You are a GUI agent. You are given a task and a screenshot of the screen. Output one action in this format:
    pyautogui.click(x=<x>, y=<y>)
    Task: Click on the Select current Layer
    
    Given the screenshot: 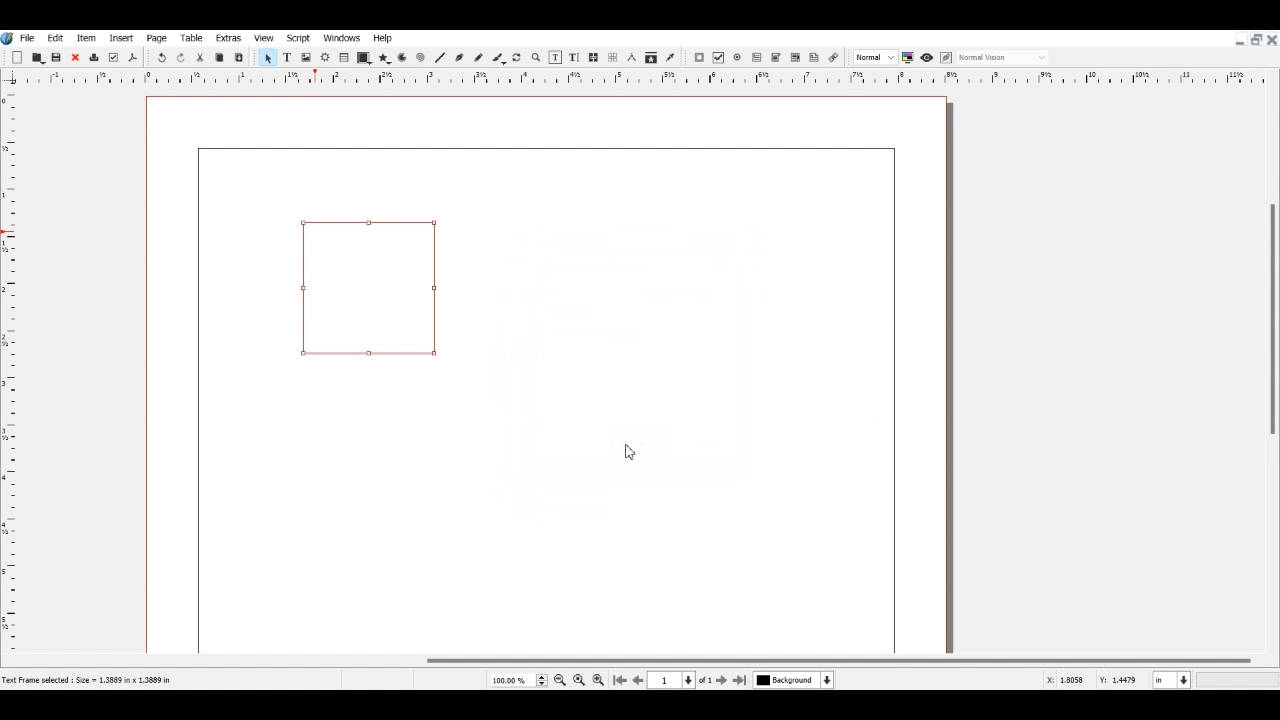 What is the action you would take?
    pyautogui.click(x=796, y=681)
    